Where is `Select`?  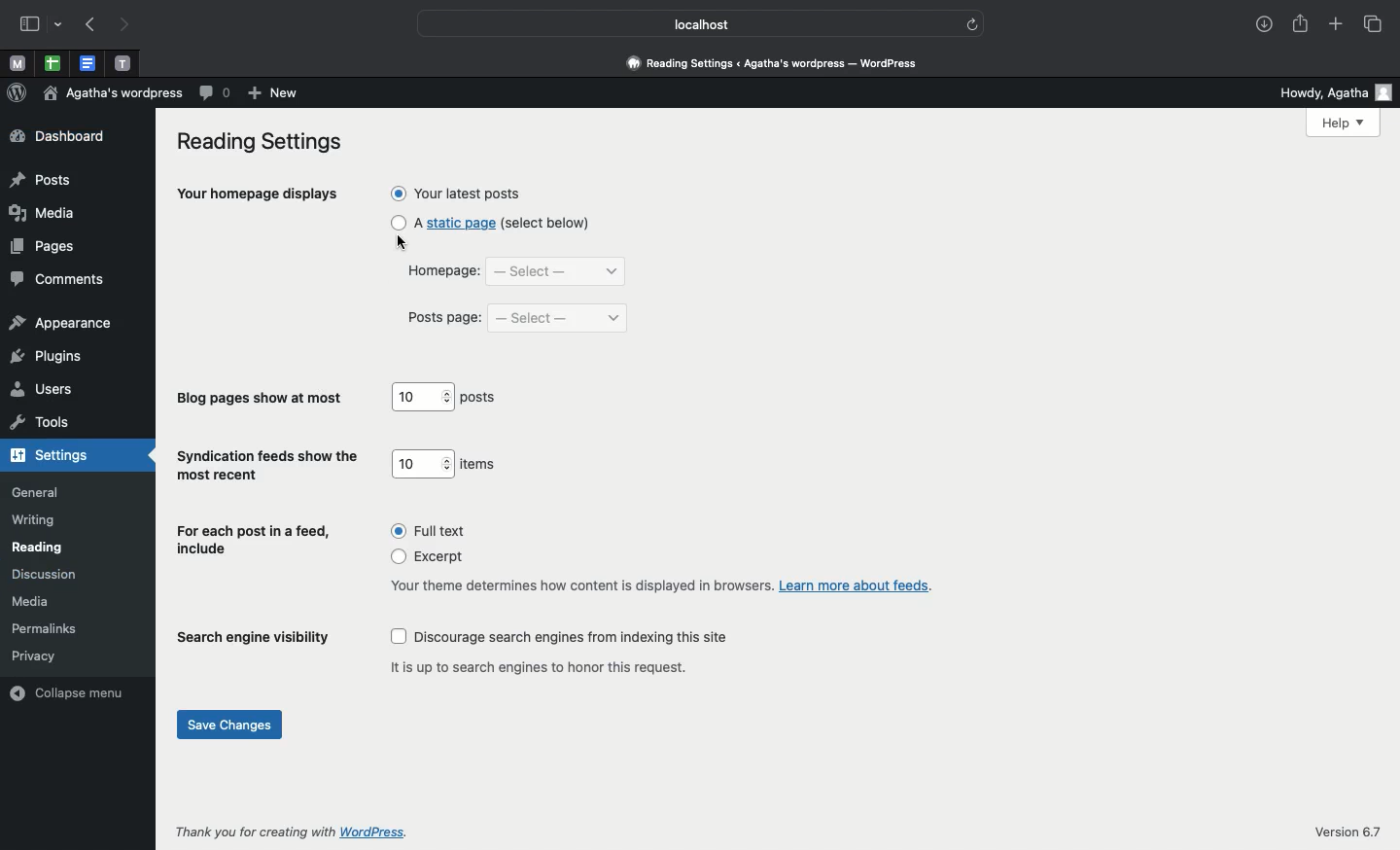
Select is located at coordinates (557, 272).